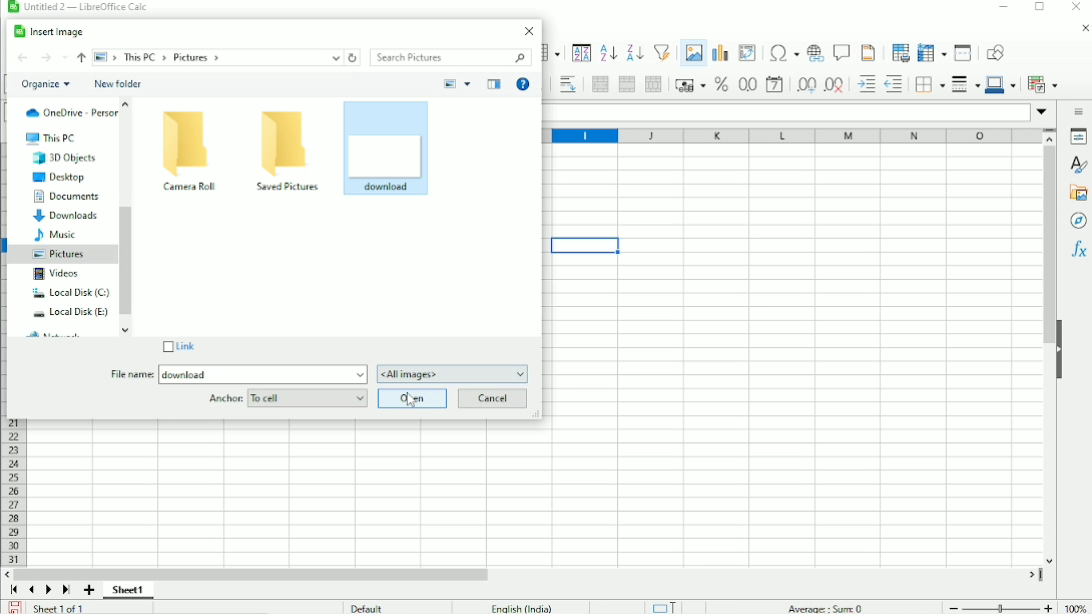 The image size is (1092, 614). What do you see at coordinates (1002, 86) in the screenshot?
I see `Border color` at bounding box center [1002, 86].